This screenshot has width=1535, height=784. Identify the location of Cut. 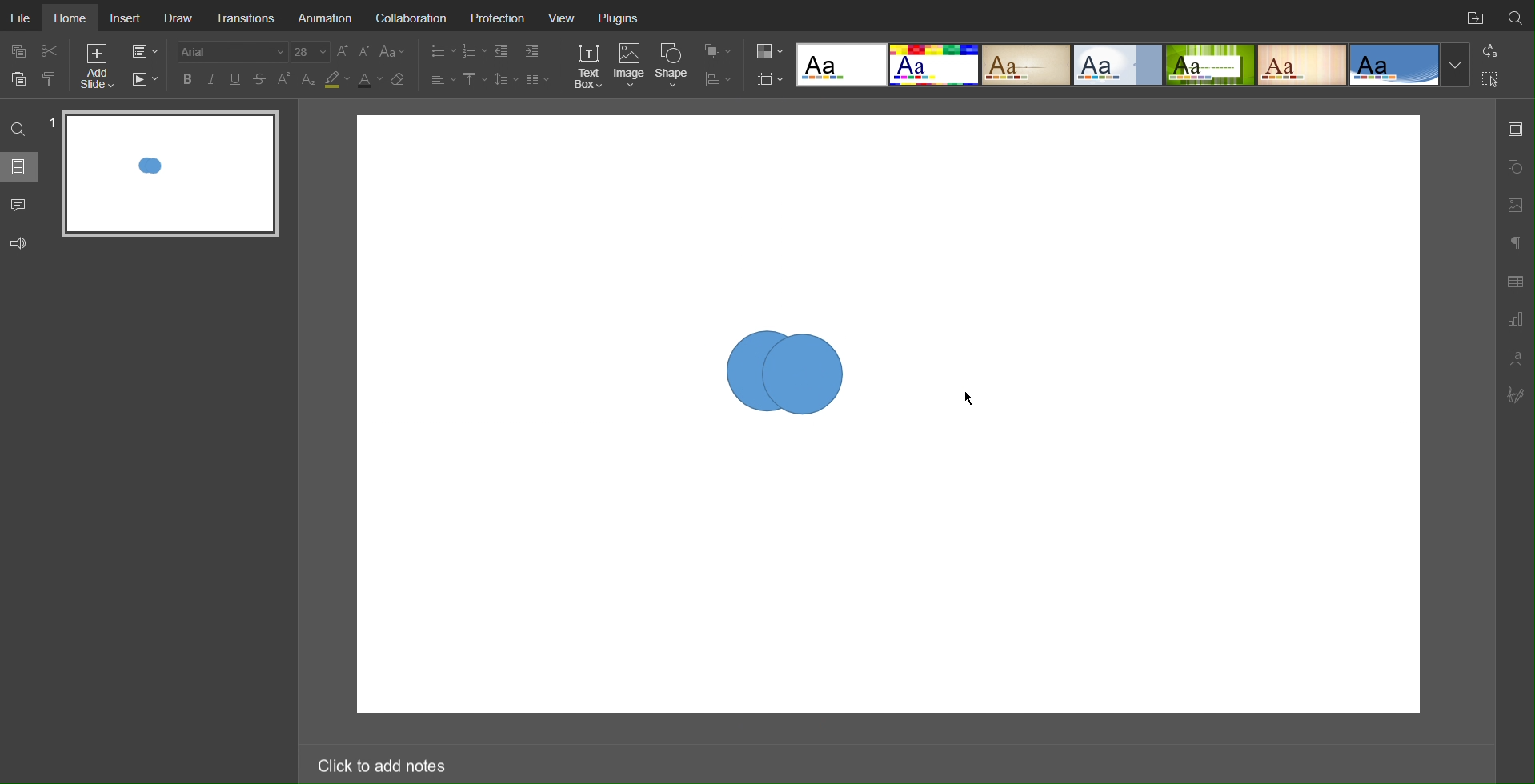
(51, 50).